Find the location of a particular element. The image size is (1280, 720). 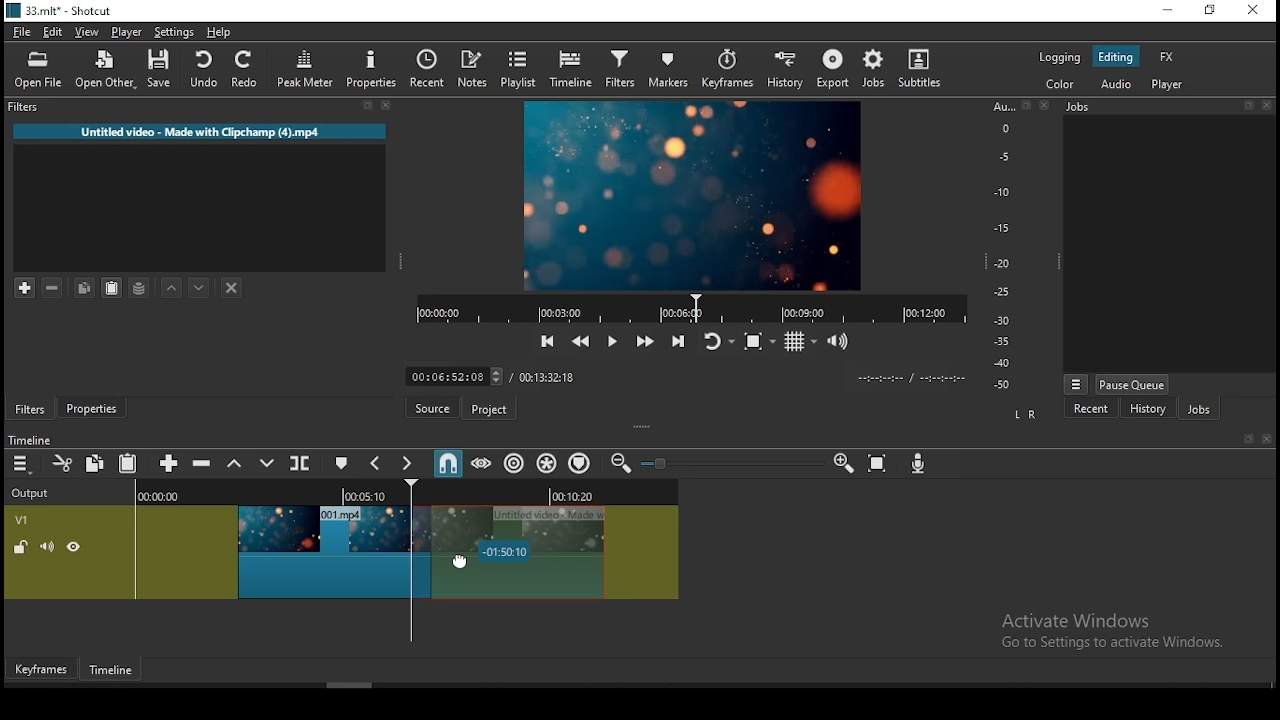

append is located at coordinates (171, 466).